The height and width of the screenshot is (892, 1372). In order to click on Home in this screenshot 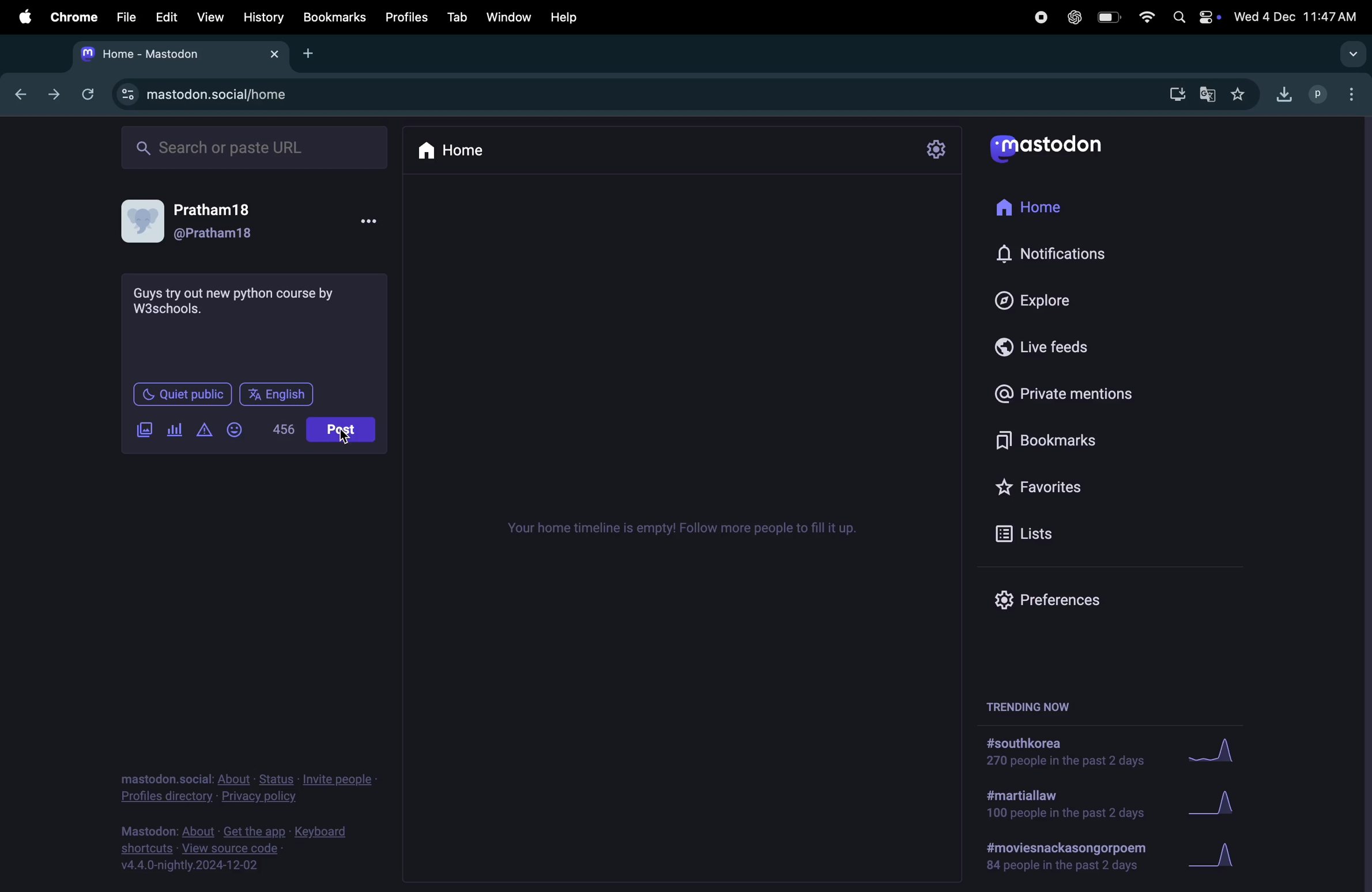, I will do `click(461, 153)`.